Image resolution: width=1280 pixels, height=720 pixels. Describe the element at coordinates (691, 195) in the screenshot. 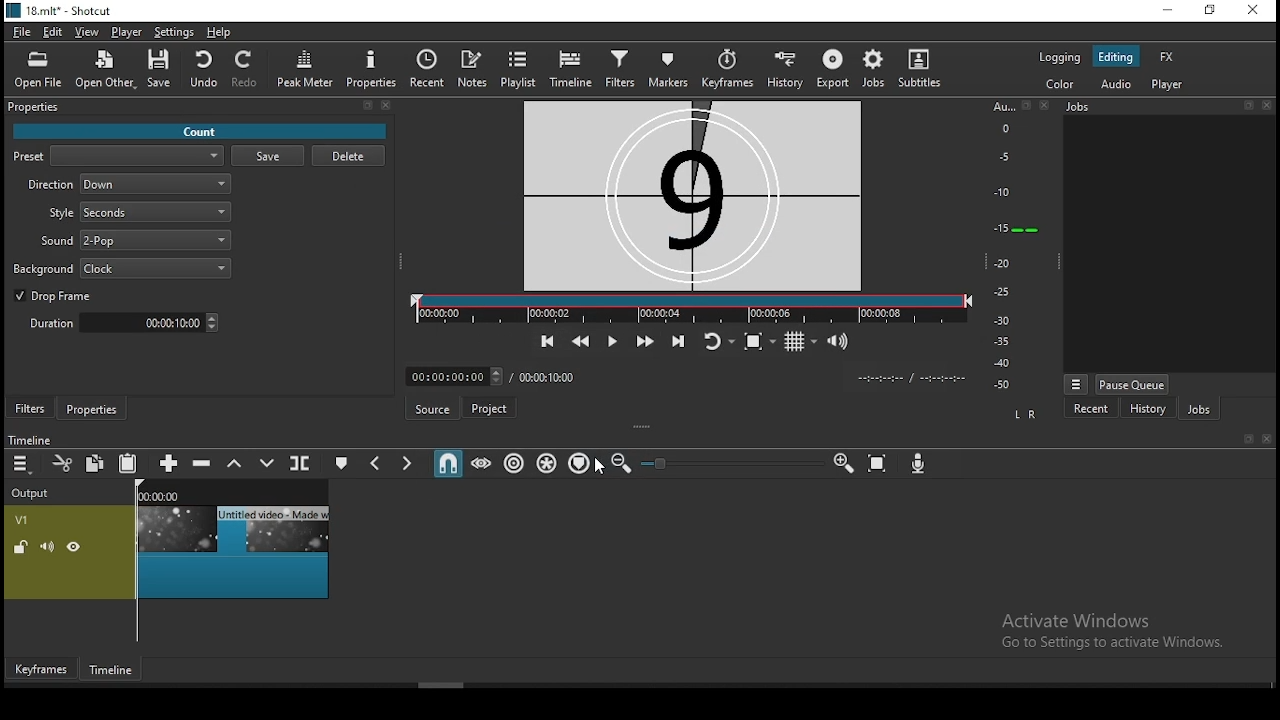

I see `video preview` at that location.